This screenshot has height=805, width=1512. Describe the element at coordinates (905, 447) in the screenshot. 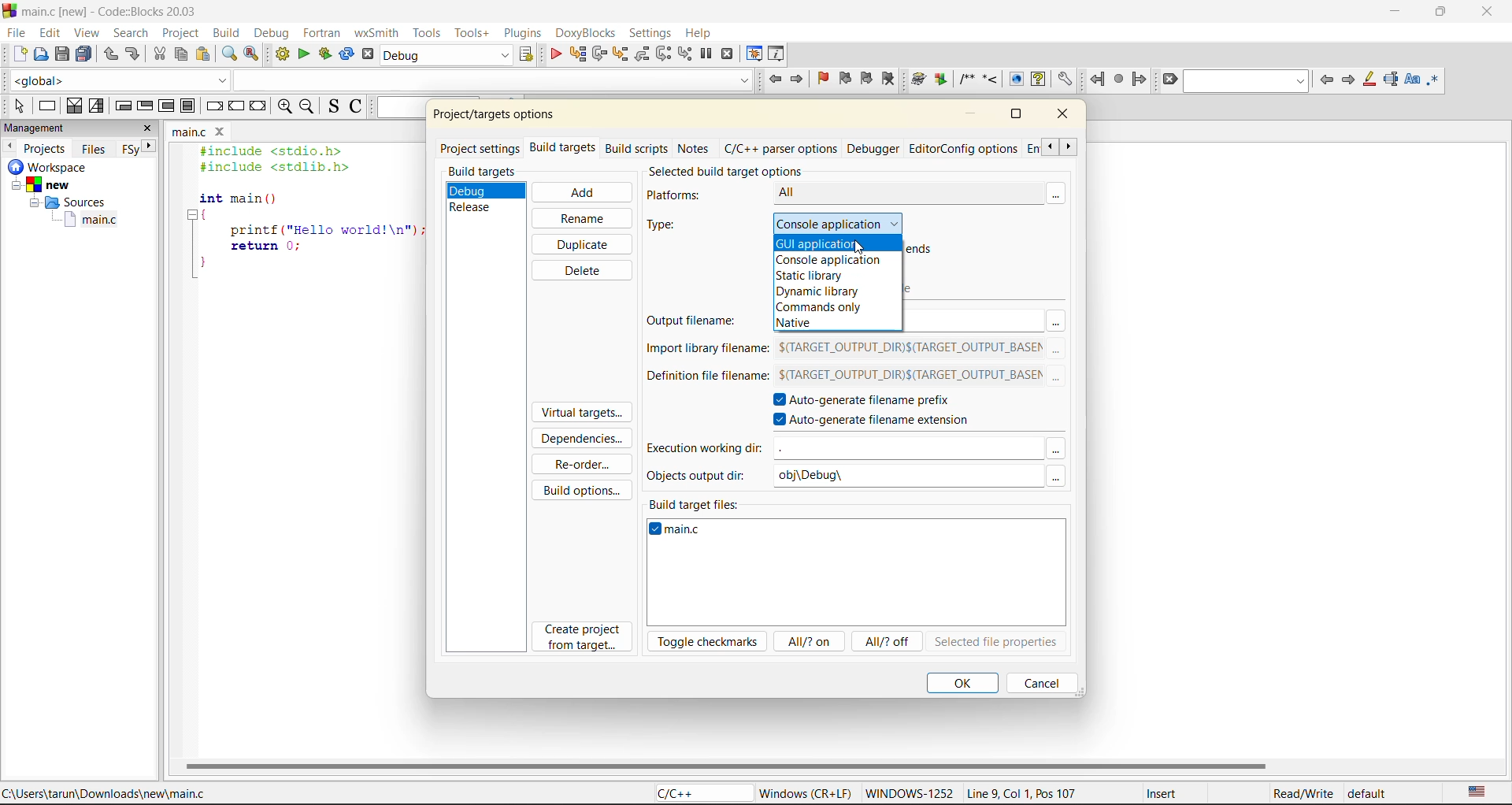

I see `input field` at that location.